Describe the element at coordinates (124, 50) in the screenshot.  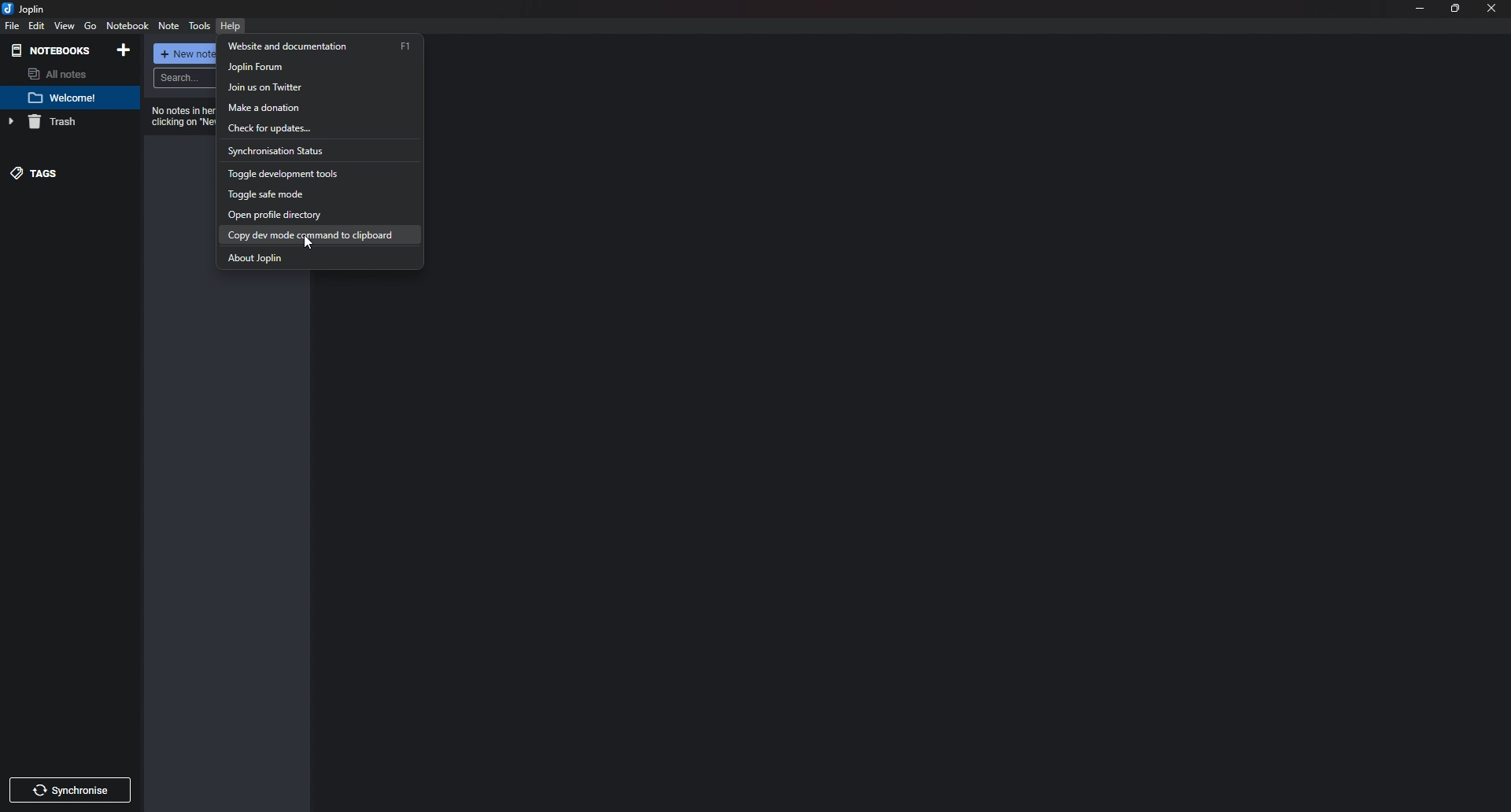
I see `Add notebooks` at that location.